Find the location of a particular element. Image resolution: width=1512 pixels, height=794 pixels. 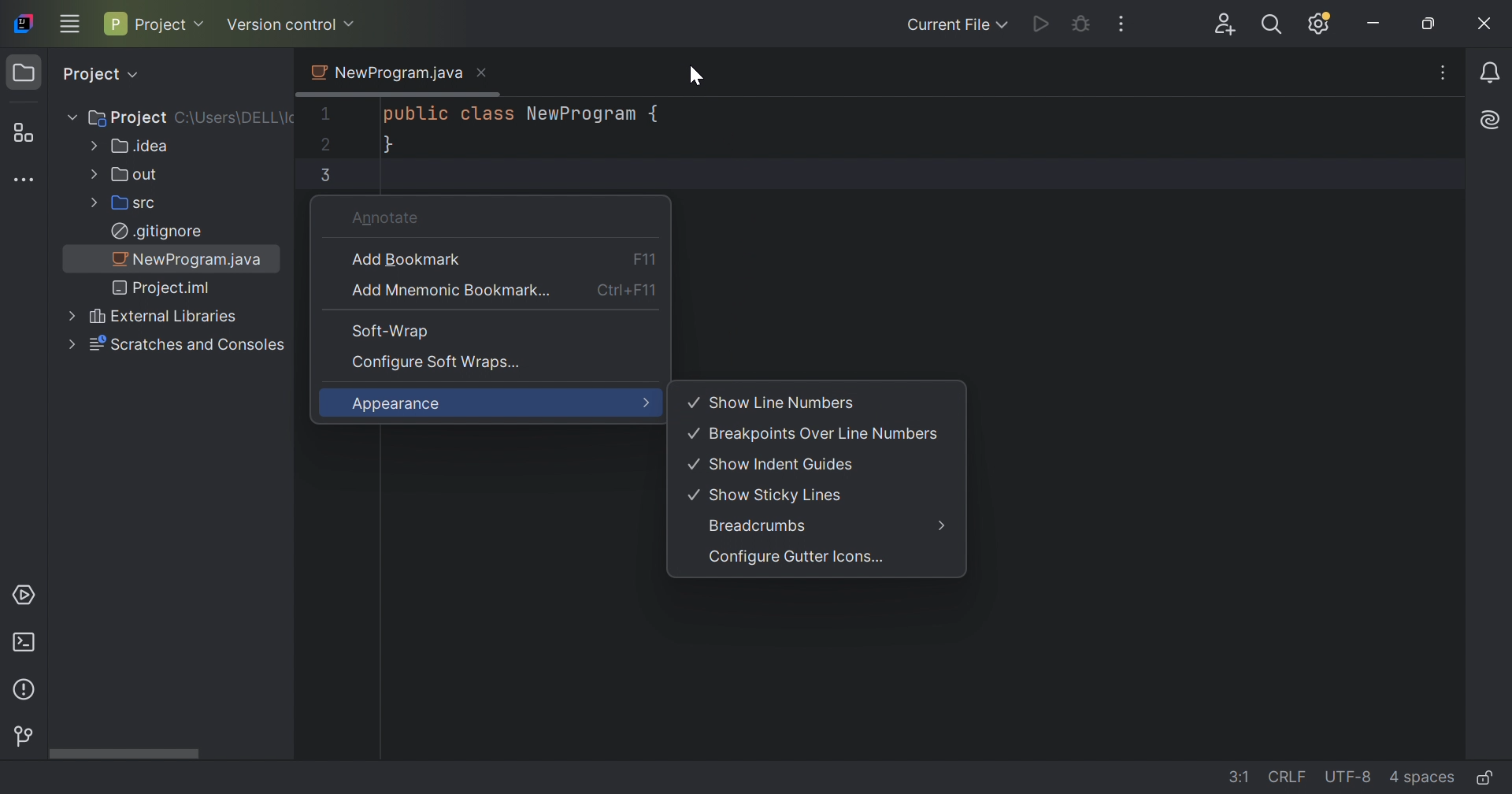

Show Sticky Lines is located at coordinates (769, 497).